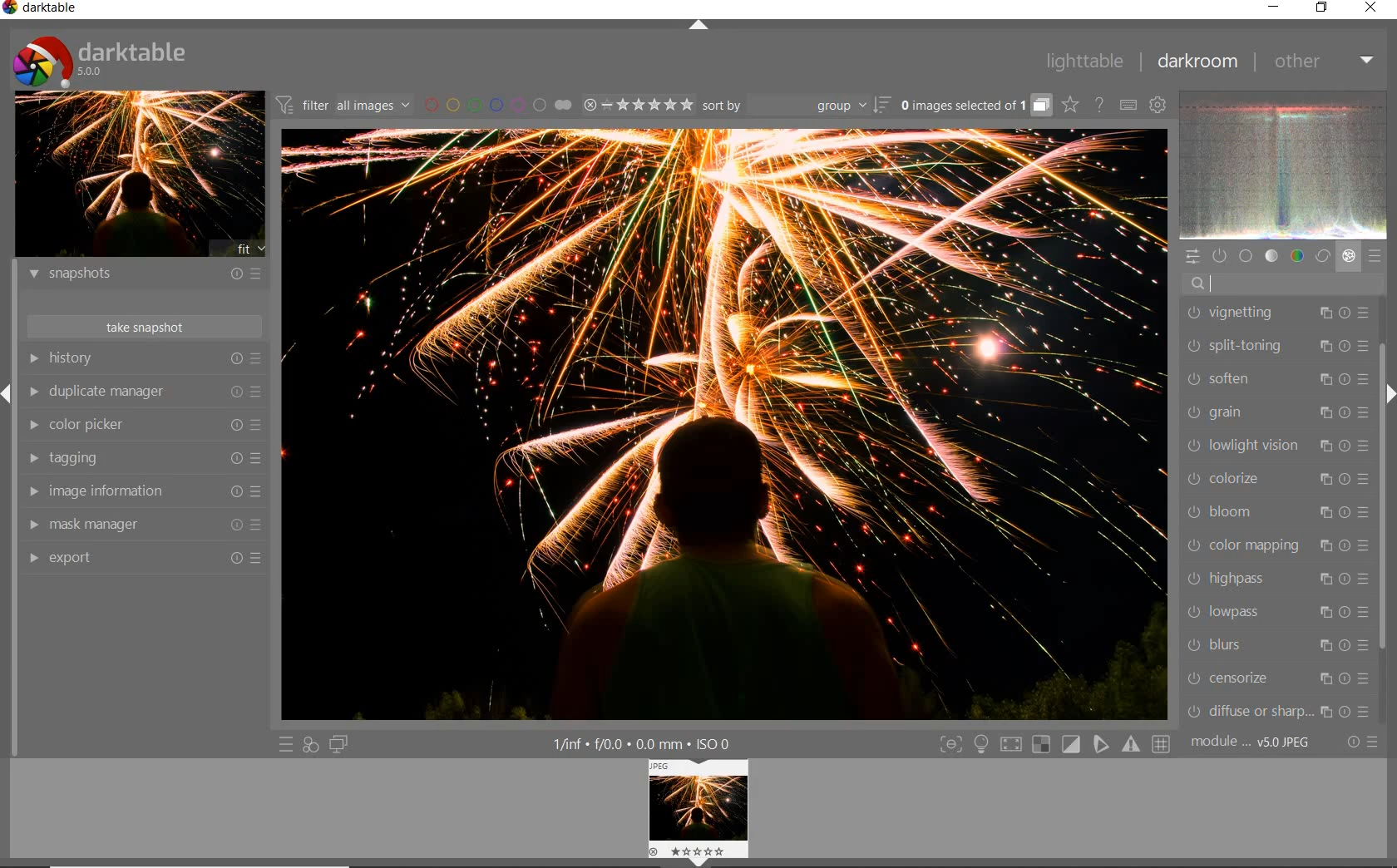  What do you see at coordinates (637, 106) in the screenshot?
I see `range ratings for selected images` at bounding box center [637, 106].